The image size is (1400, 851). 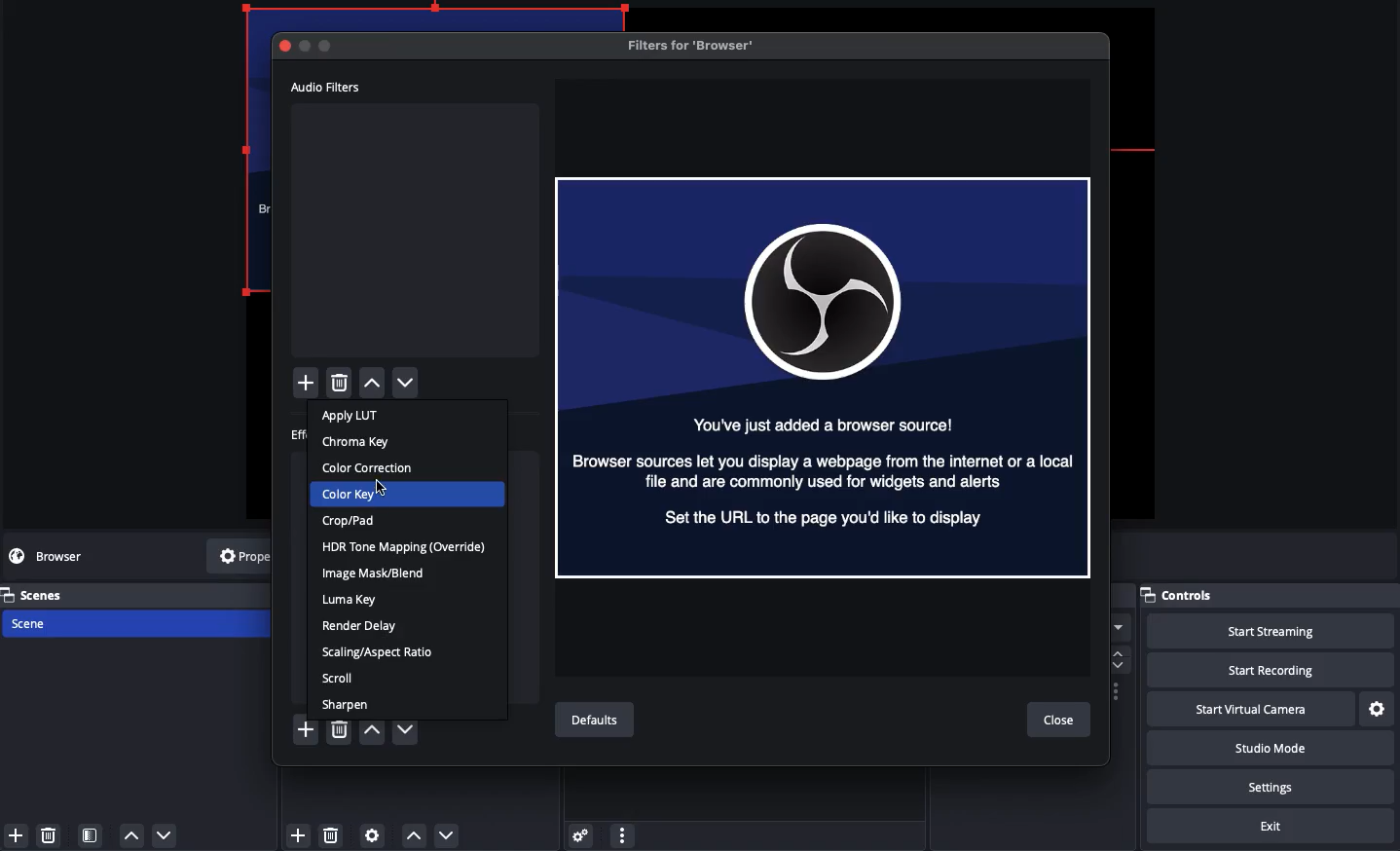 I want to click on Defaults, so click(x=600, y=721).